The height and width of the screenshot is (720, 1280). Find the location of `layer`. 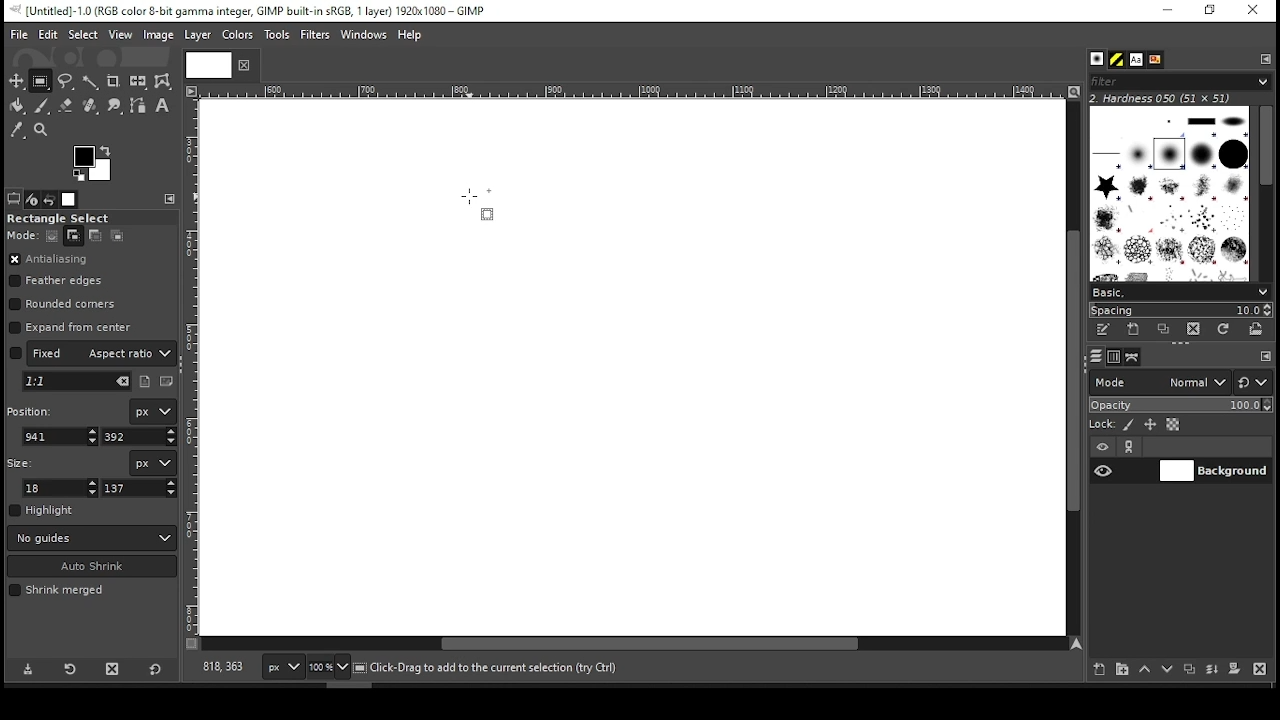

layer is located at coordinates (196, 35).